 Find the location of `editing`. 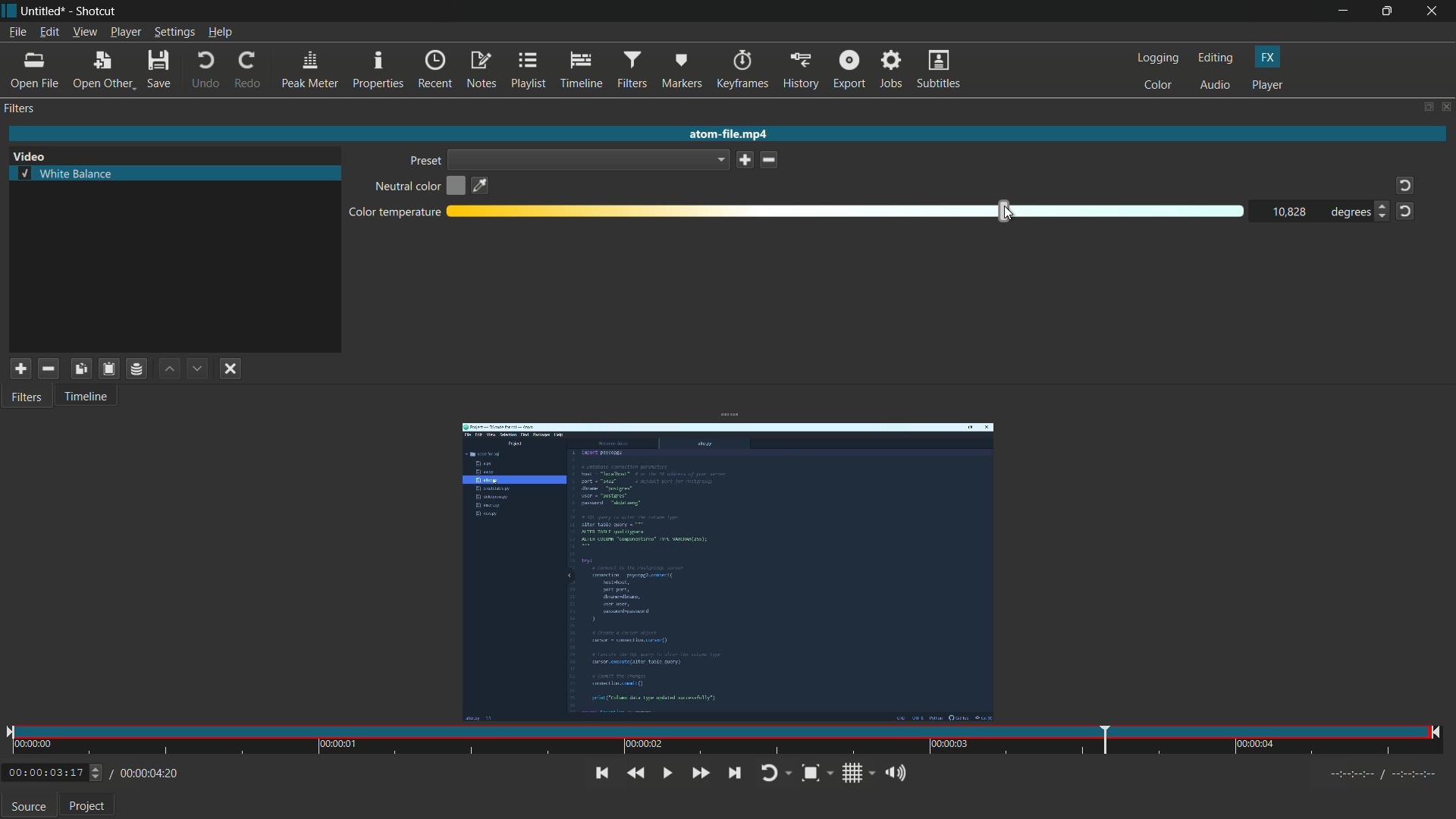

editing is located at coordinates (1216, 59).